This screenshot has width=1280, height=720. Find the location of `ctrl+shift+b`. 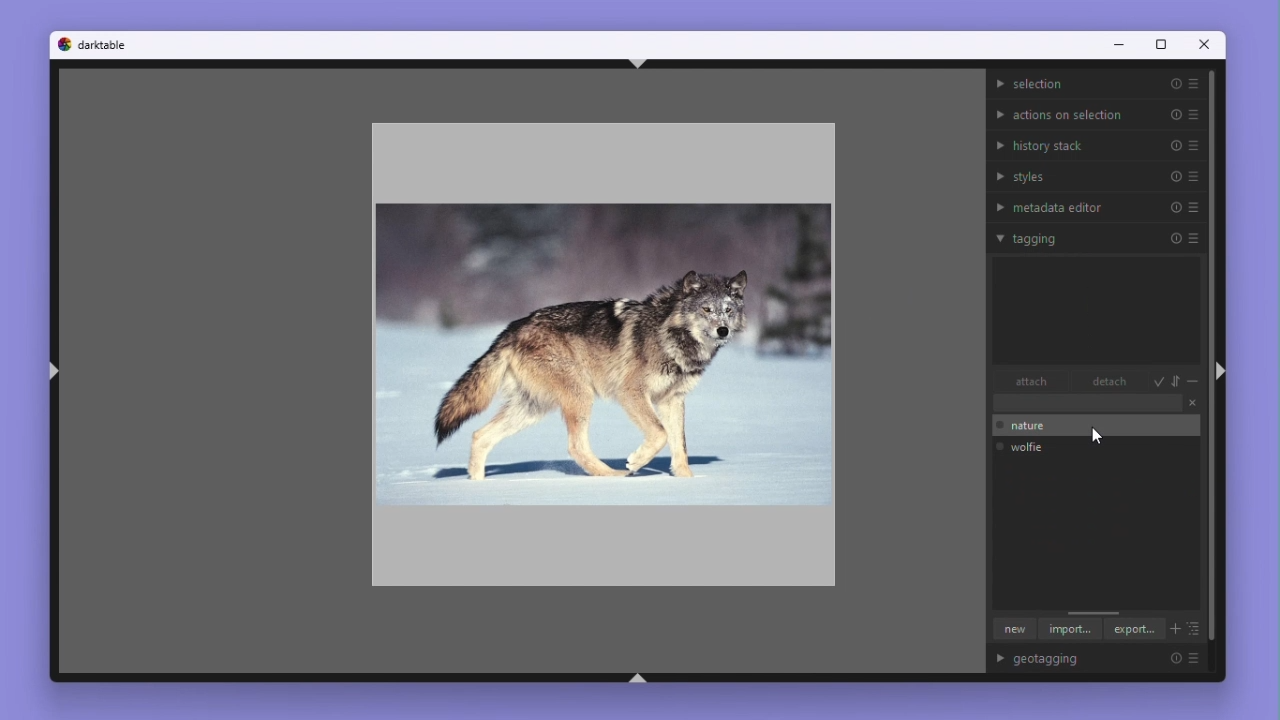

ctrl+shift+b is located at coordinates (638, 678).